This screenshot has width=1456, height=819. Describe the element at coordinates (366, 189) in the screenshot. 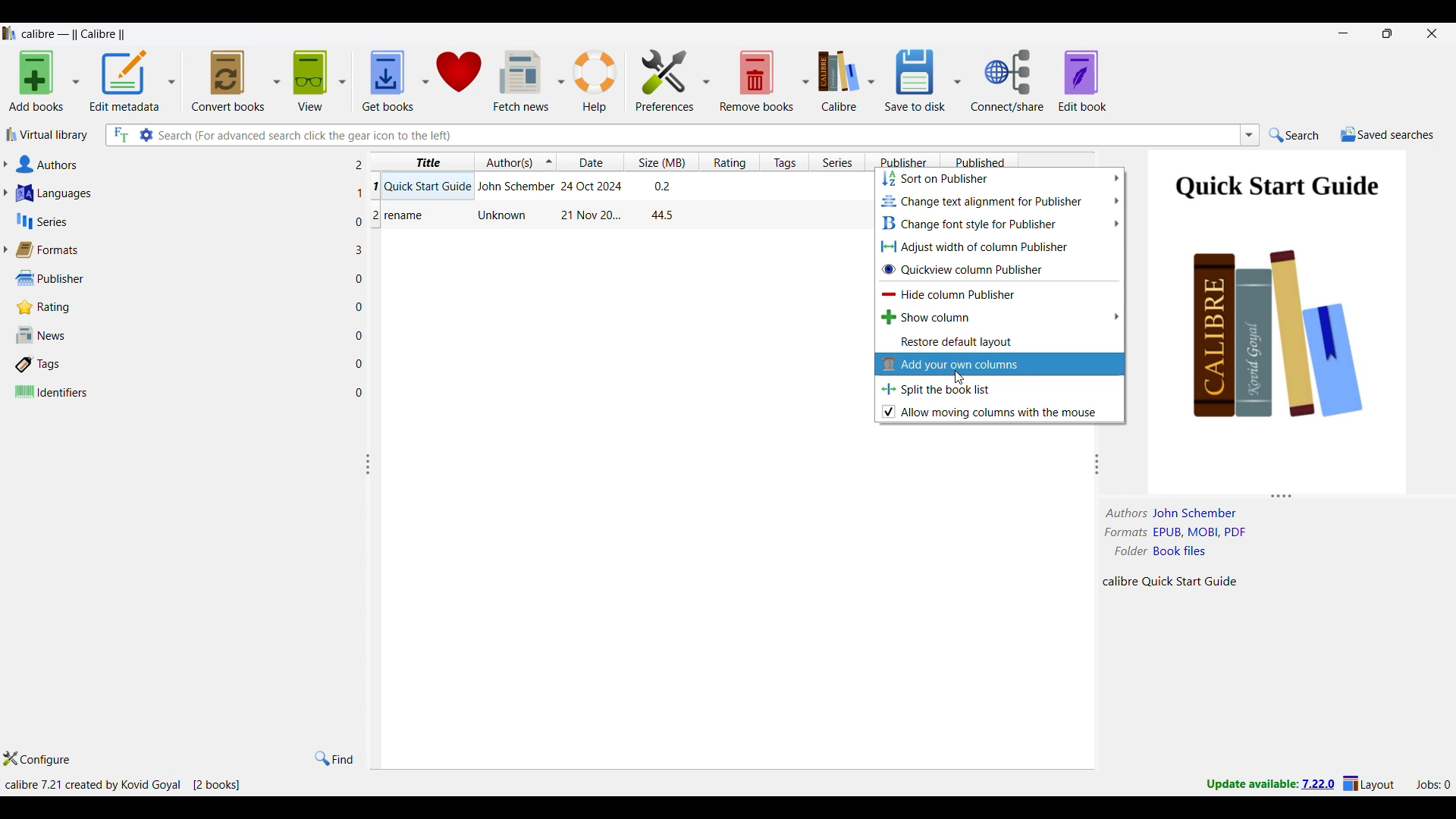

I see `1 1` at that location.